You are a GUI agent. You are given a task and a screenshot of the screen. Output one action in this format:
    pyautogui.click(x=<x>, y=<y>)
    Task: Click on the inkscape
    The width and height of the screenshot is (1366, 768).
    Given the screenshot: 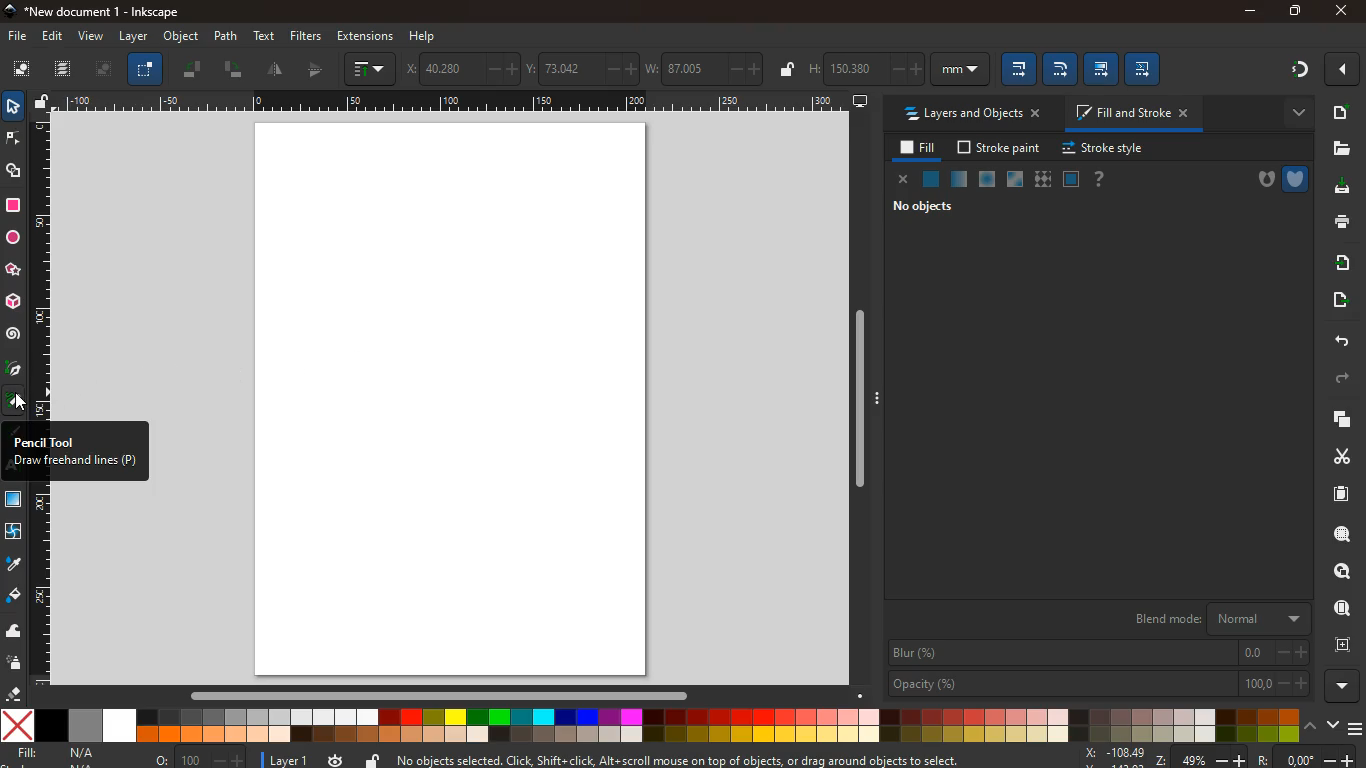 What is the action you would take?
    pyautogui.click(x=99, y=10)
    